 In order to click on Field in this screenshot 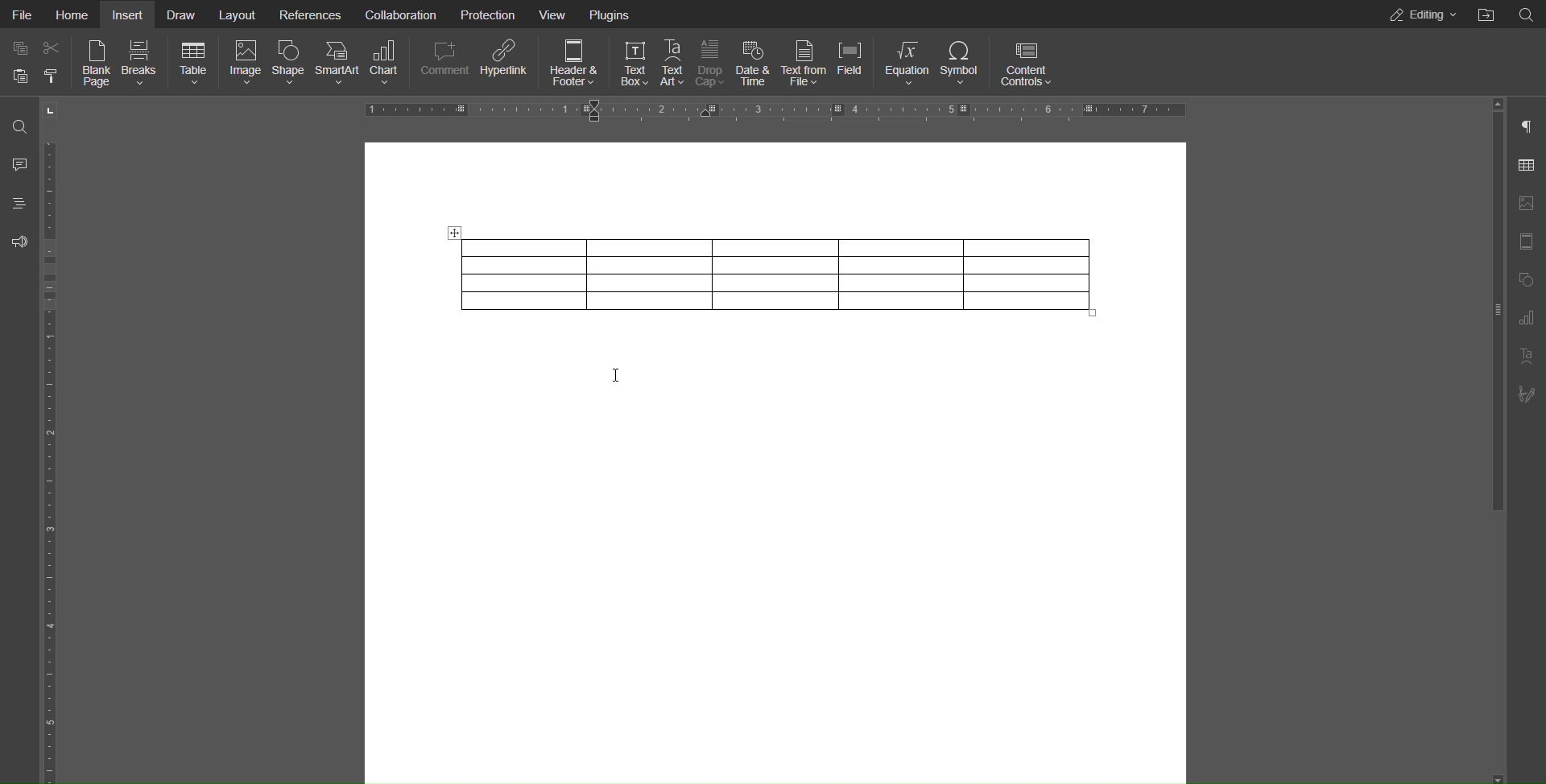, I will do `click(858, 63)`.